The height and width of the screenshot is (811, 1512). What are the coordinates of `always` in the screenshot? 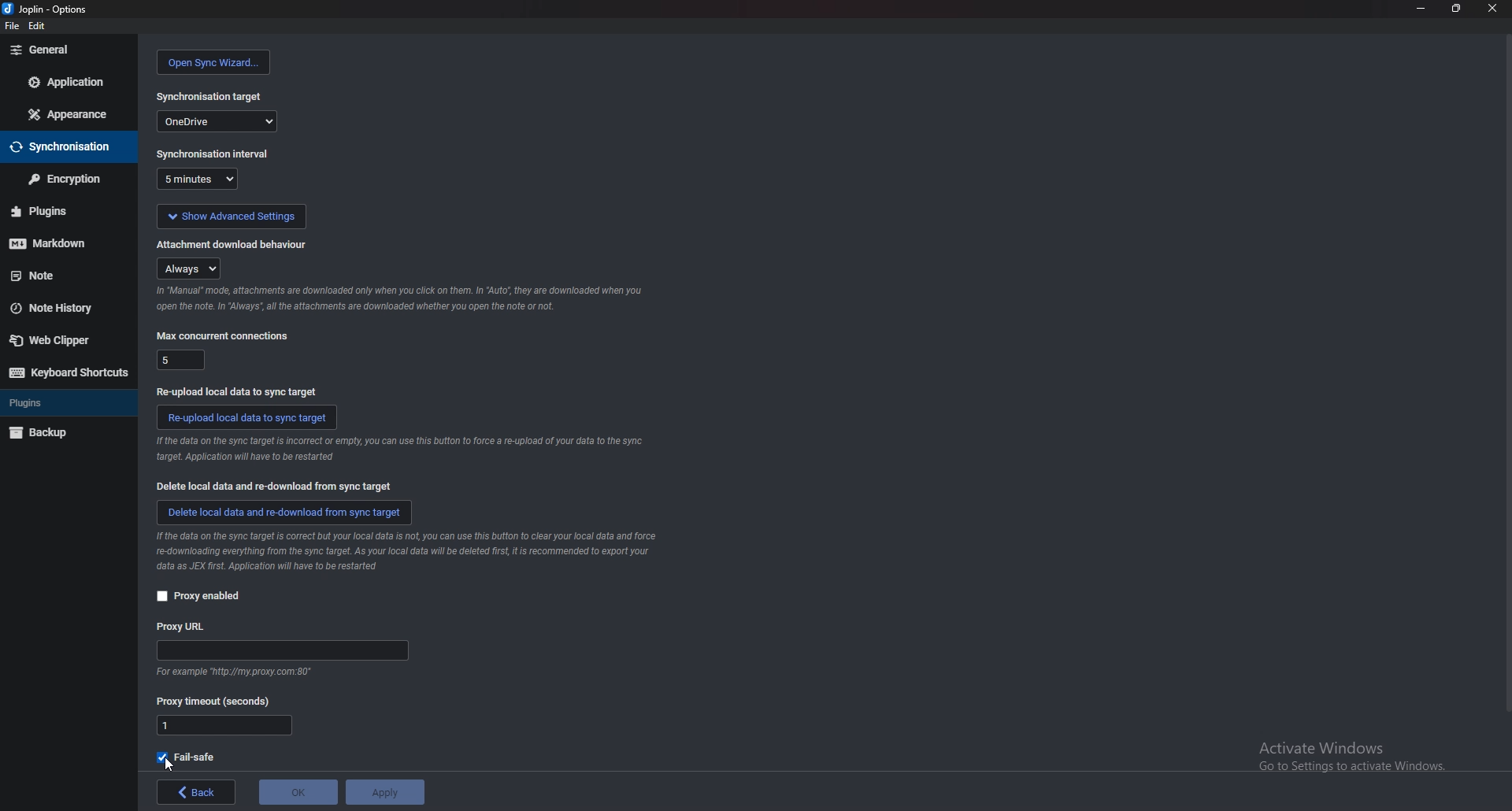 It's located at (189, 268).